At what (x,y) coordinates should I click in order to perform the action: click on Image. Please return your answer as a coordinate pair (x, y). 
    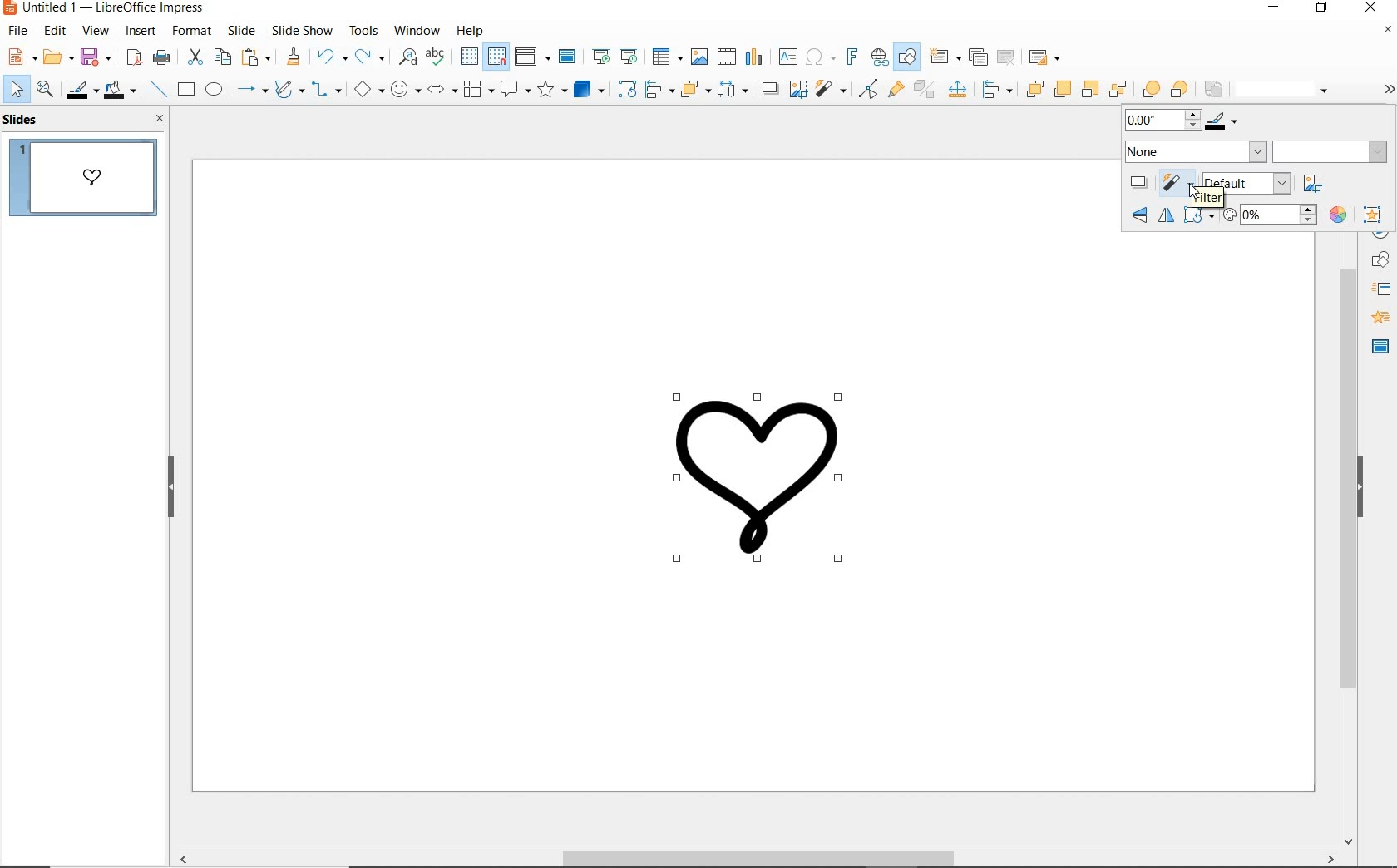
    Looking at the image, I should click on (768, 485).